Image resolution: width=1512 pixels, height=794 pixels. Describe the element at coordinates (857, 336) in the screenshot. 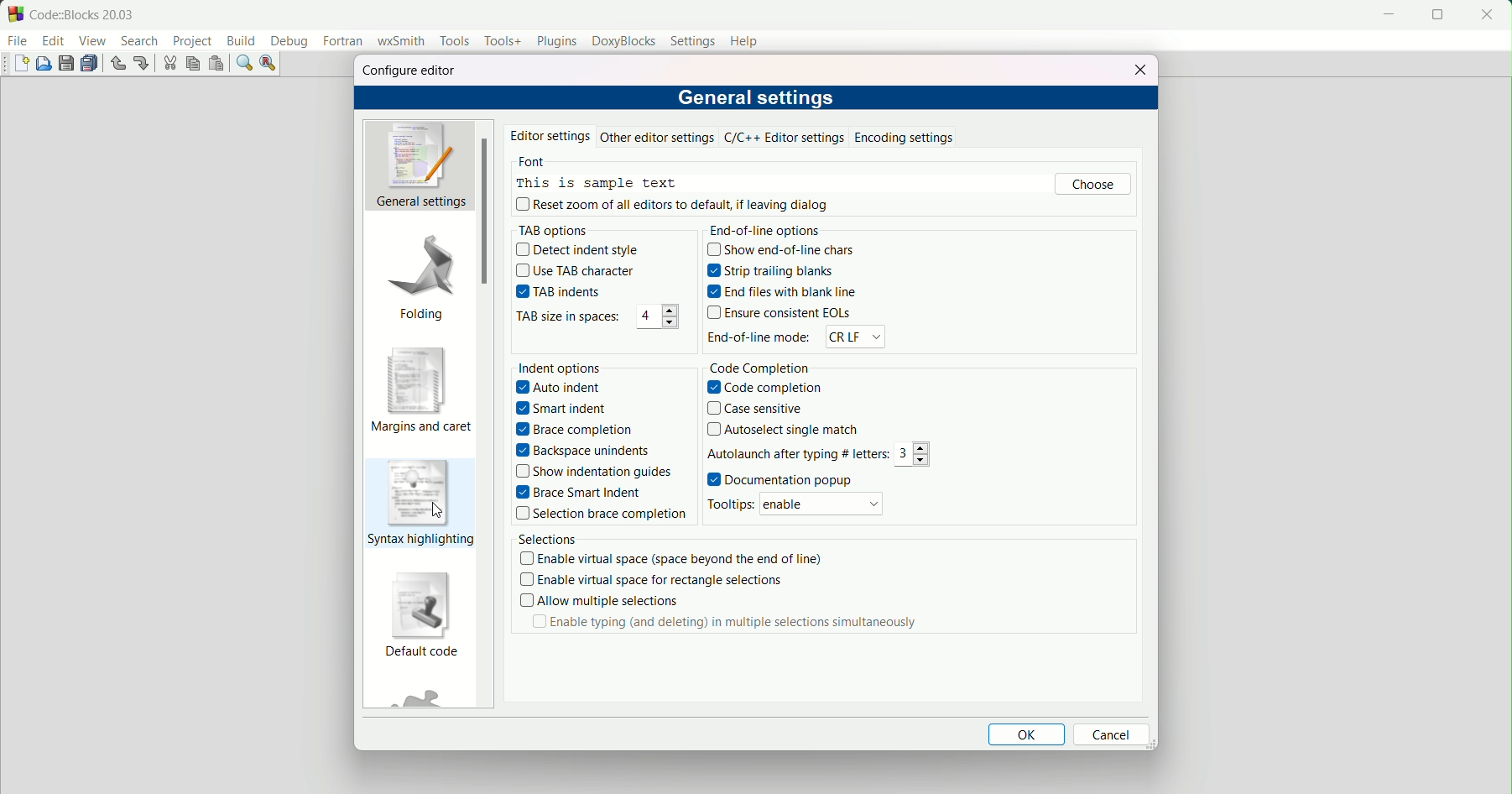

I see `CRLF` at that location.